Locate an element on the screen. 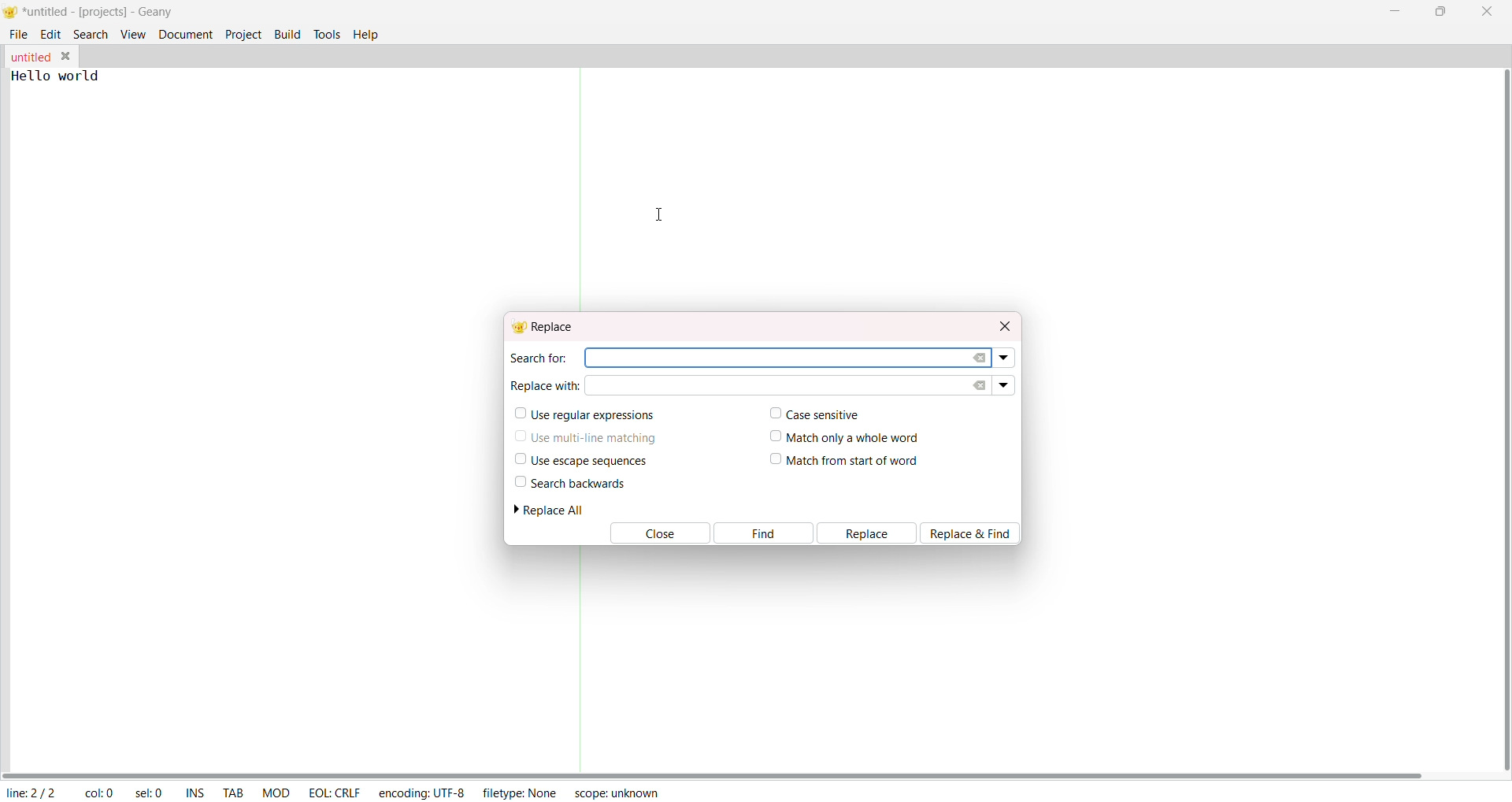  vertical scroll bar is located at coordinates (1501, 420).